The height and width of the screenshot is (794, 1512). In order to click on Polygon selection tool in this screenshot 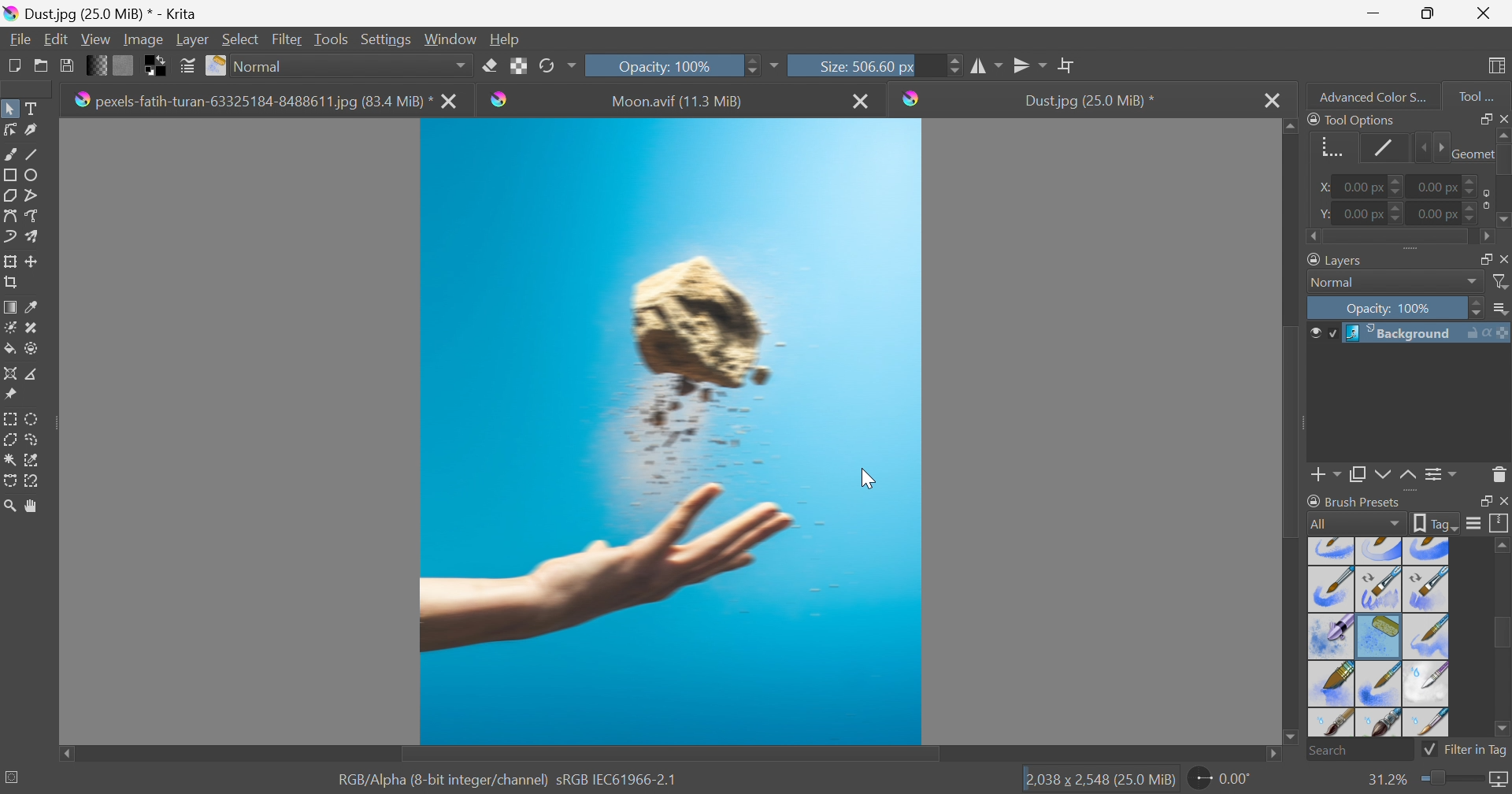, I will do `click(13, 439)`.